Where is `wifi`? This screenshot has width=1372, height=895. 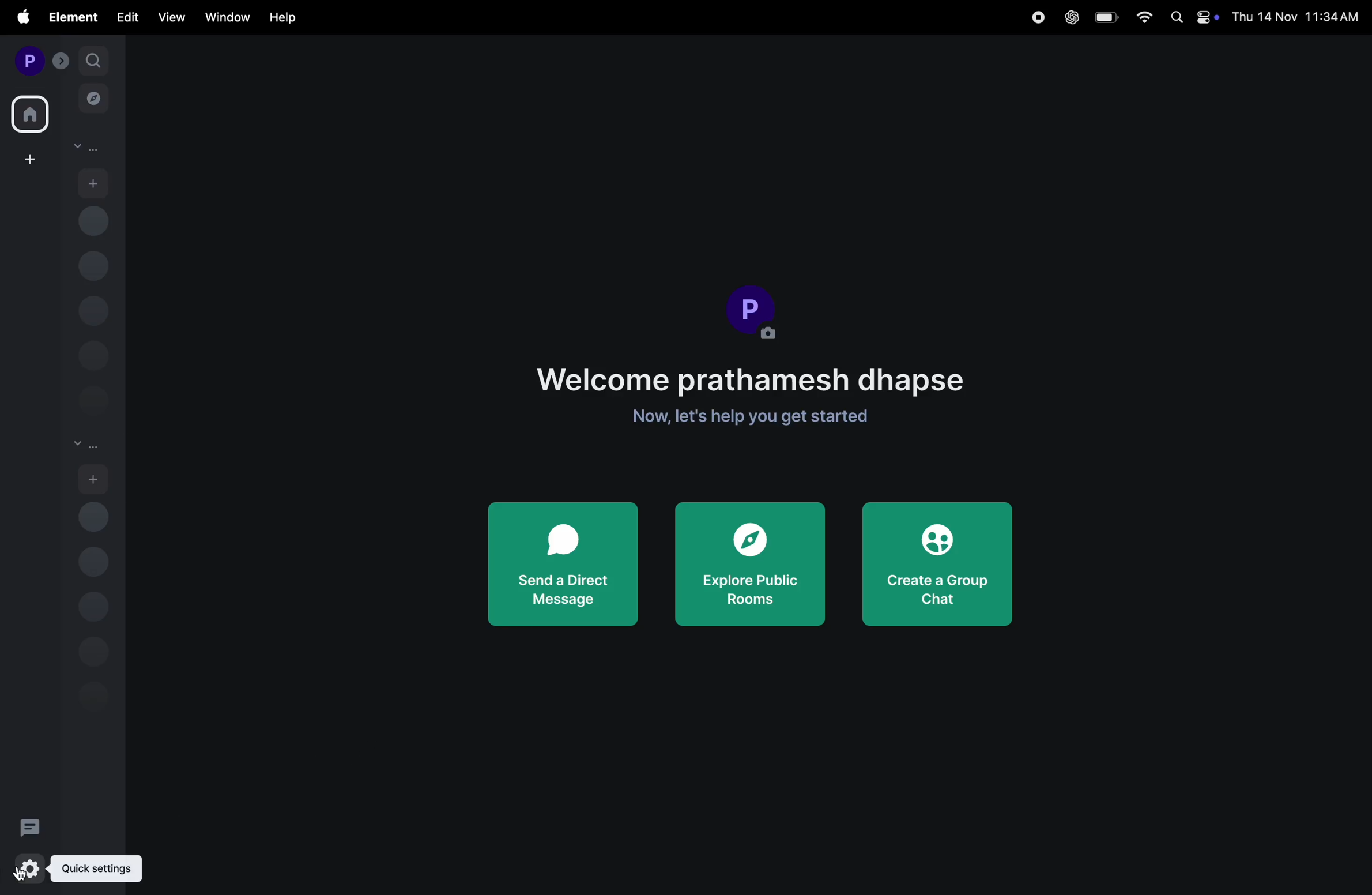 wifi is located at coordinates (1139, 17).